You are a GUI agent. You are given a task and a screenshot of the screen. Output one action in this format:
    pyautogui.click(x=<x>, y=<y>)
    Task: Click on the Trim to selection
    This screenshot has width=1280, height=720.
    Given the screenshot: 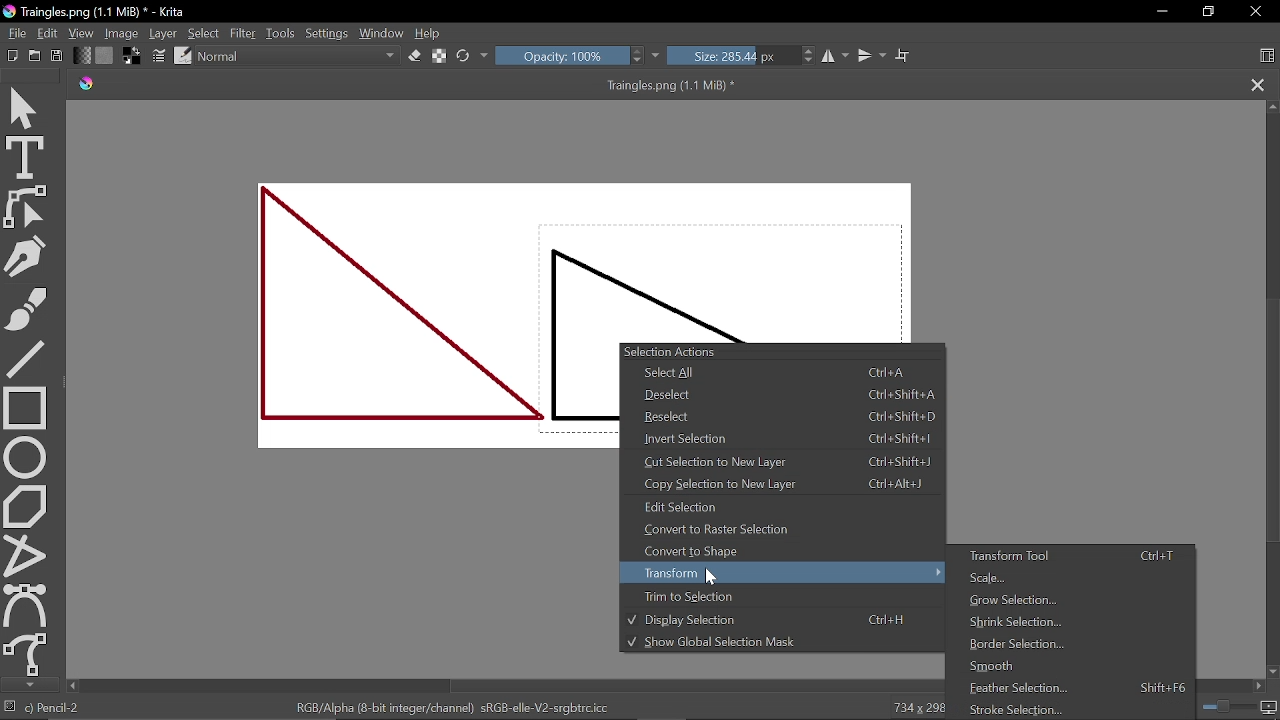 What is the action you would take?
    pyautogui.click(x=775, y=596)
    